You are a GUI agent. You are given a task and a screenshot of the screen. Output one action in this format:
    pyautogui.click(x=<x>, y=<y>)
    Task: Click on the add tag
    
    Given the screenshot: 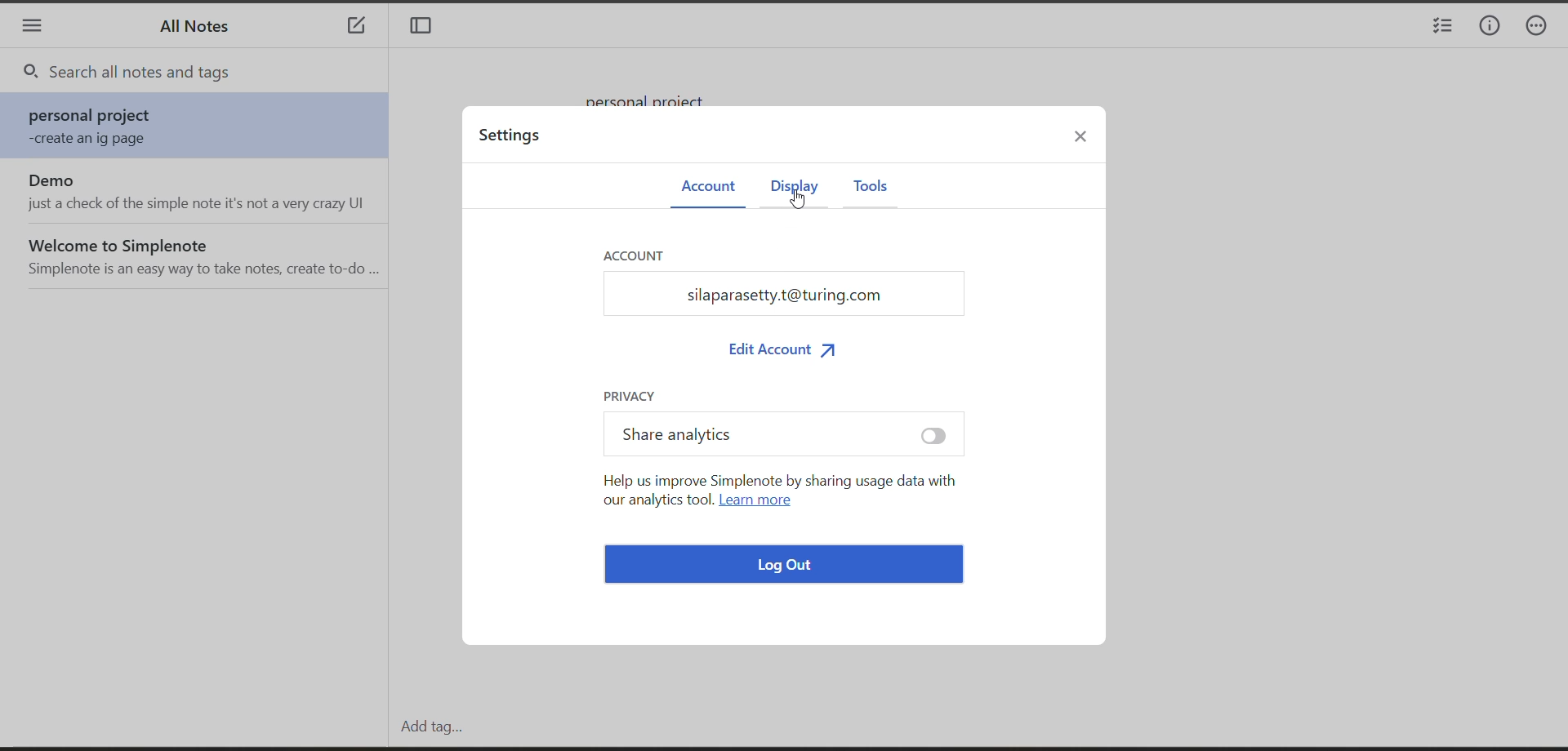 What is the action you would take?
    pyautogui.click(x=427, y=727)
    